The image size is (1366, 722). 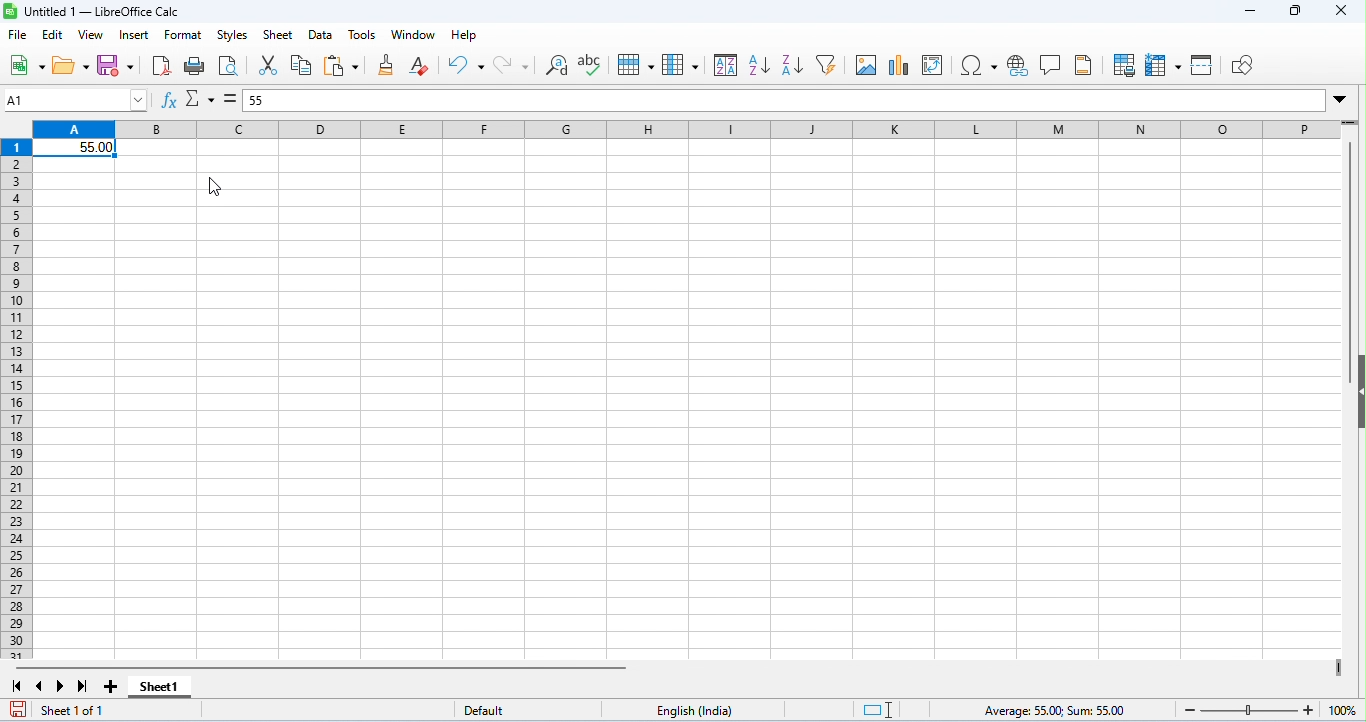 I want to click on insert, so click(x=132, y=36).